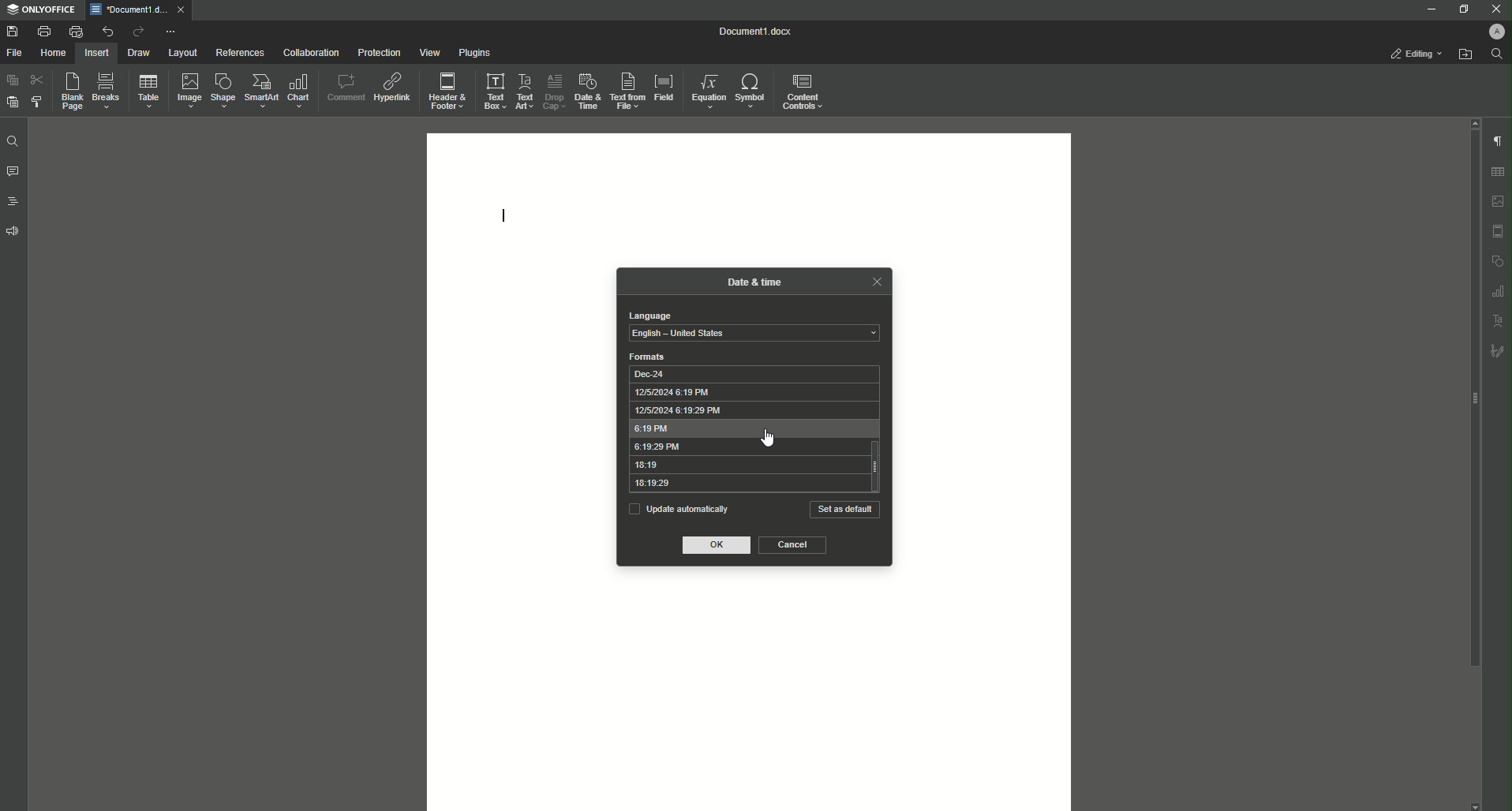 Image resolution: width=1512 pixels, height=811 pixels. Describe the element at coordinates (845, 510) in the screenshot. I see `Set as default` at that location.